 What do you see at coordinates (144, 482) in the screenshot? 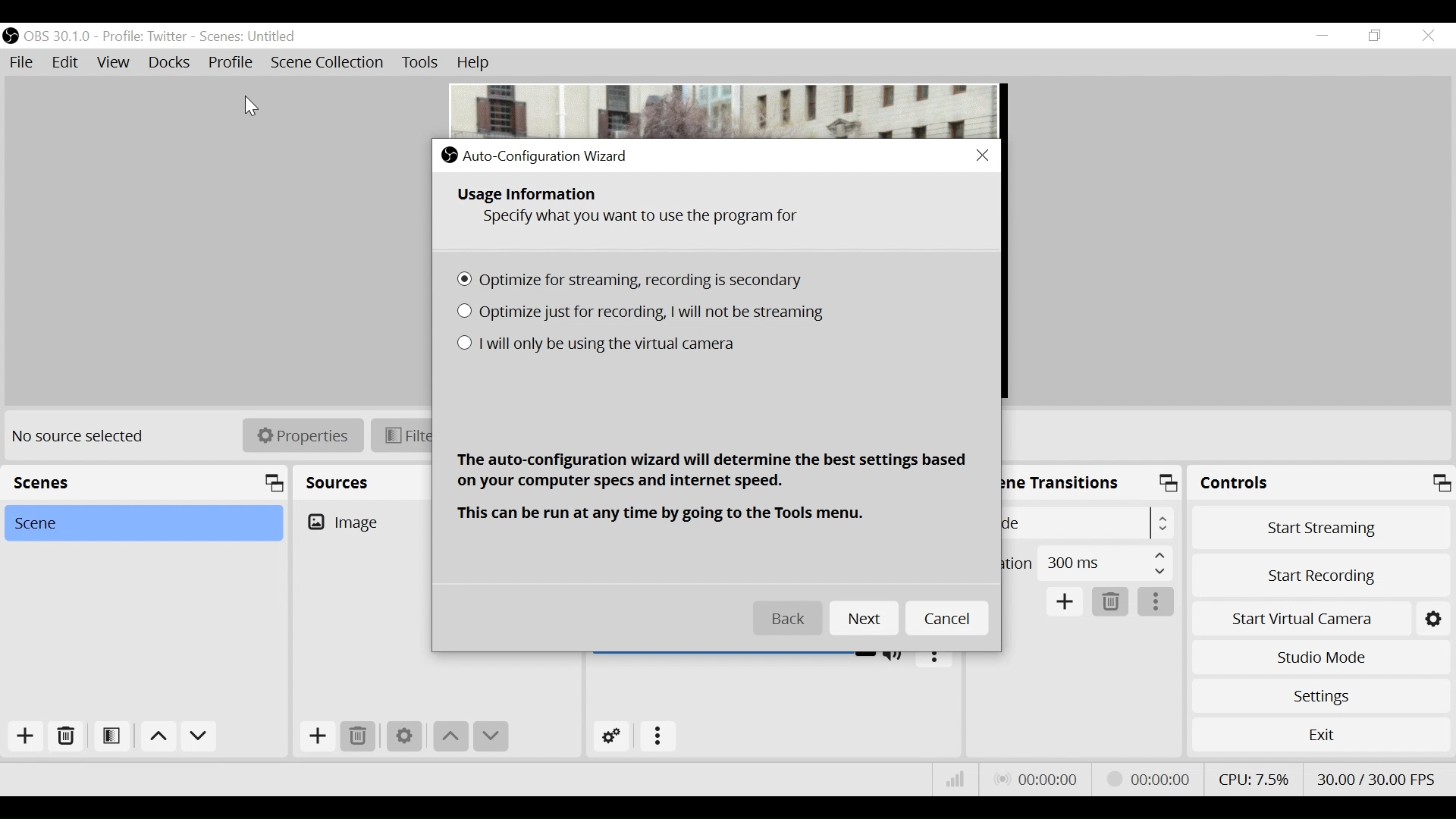
I see `Scenes Panel` at bounding box center [144, 482].